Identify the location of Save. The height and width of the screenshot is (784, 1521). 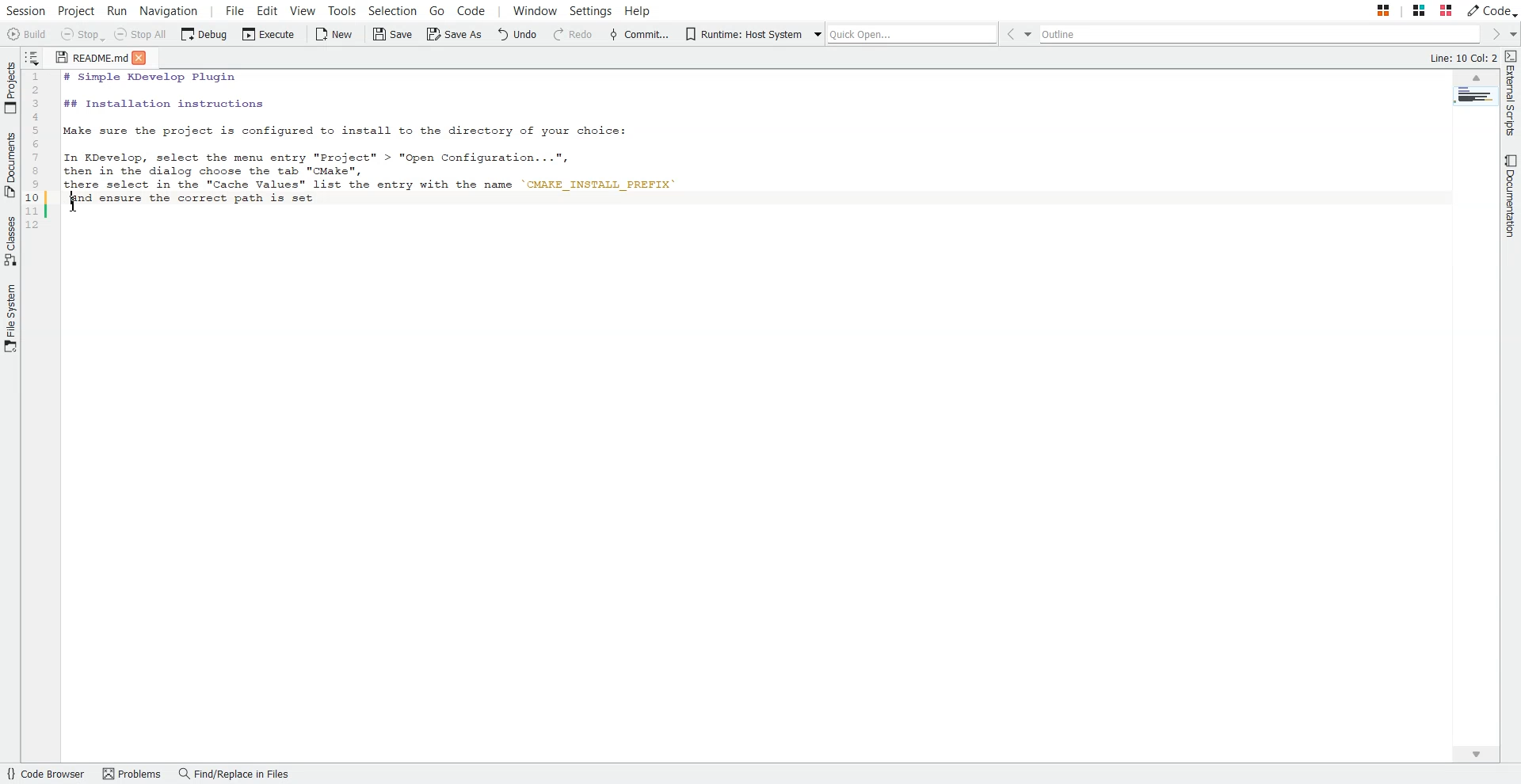
(393, 35).